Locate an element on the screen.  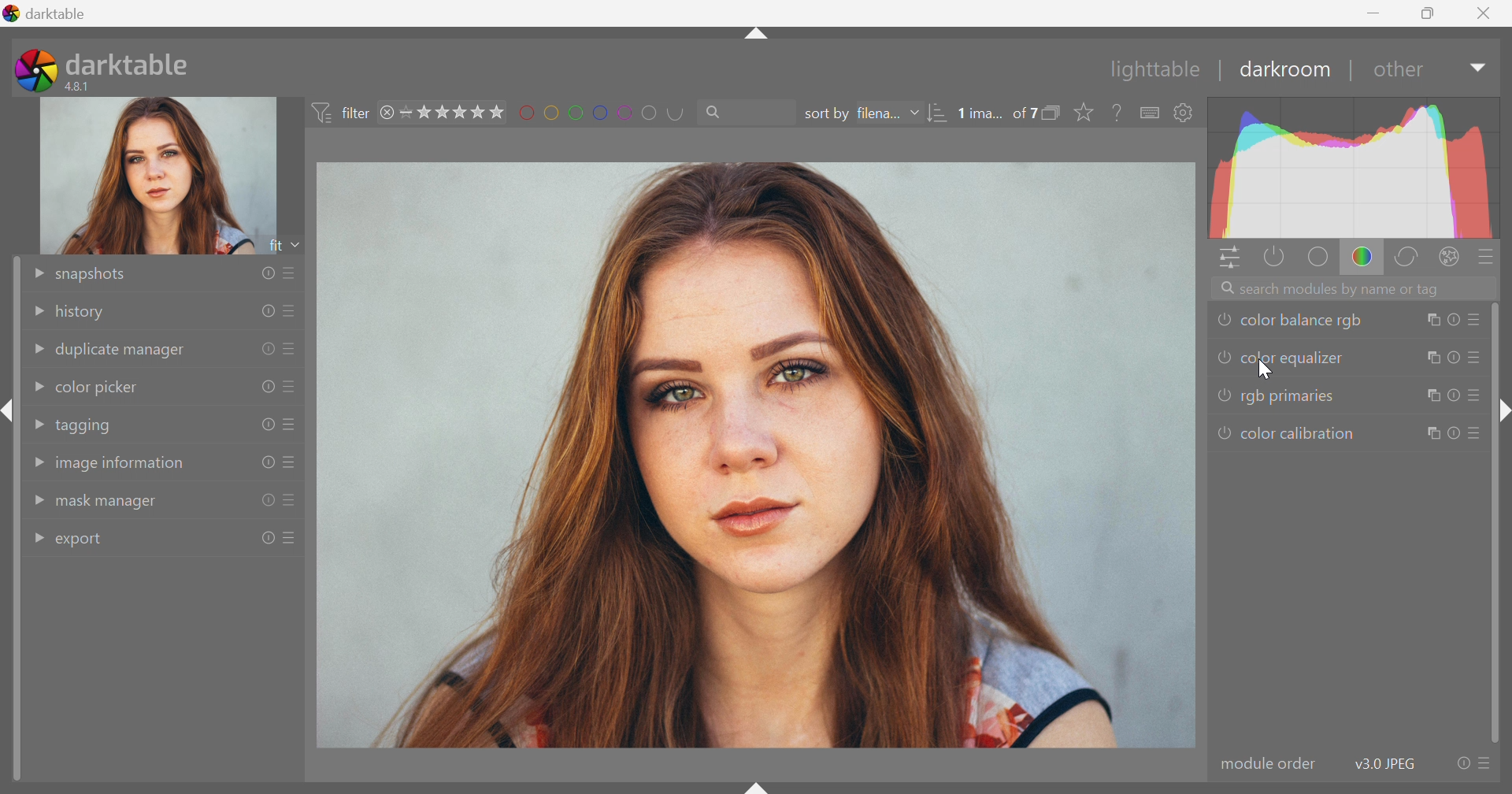
Drop Down is located at coordinates (35, 387).